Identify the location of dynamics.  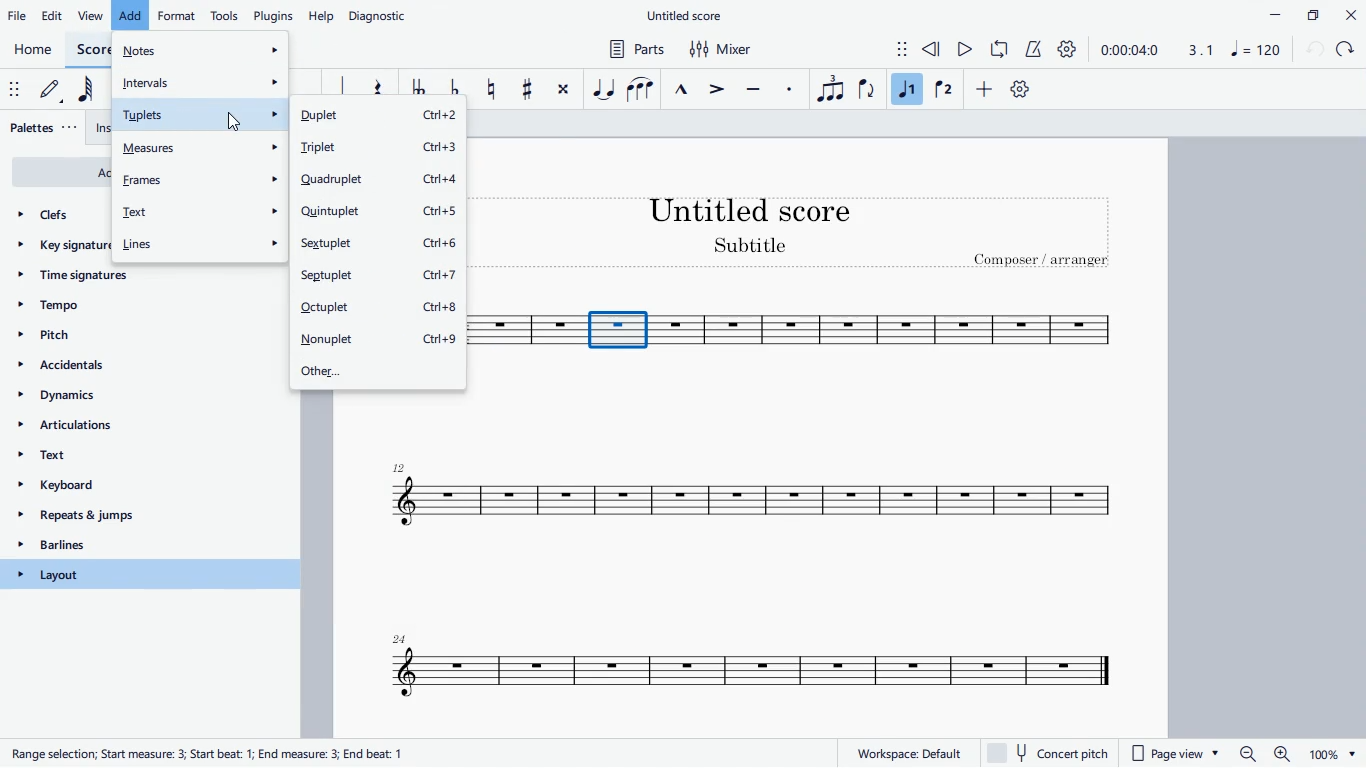
(120, 400).